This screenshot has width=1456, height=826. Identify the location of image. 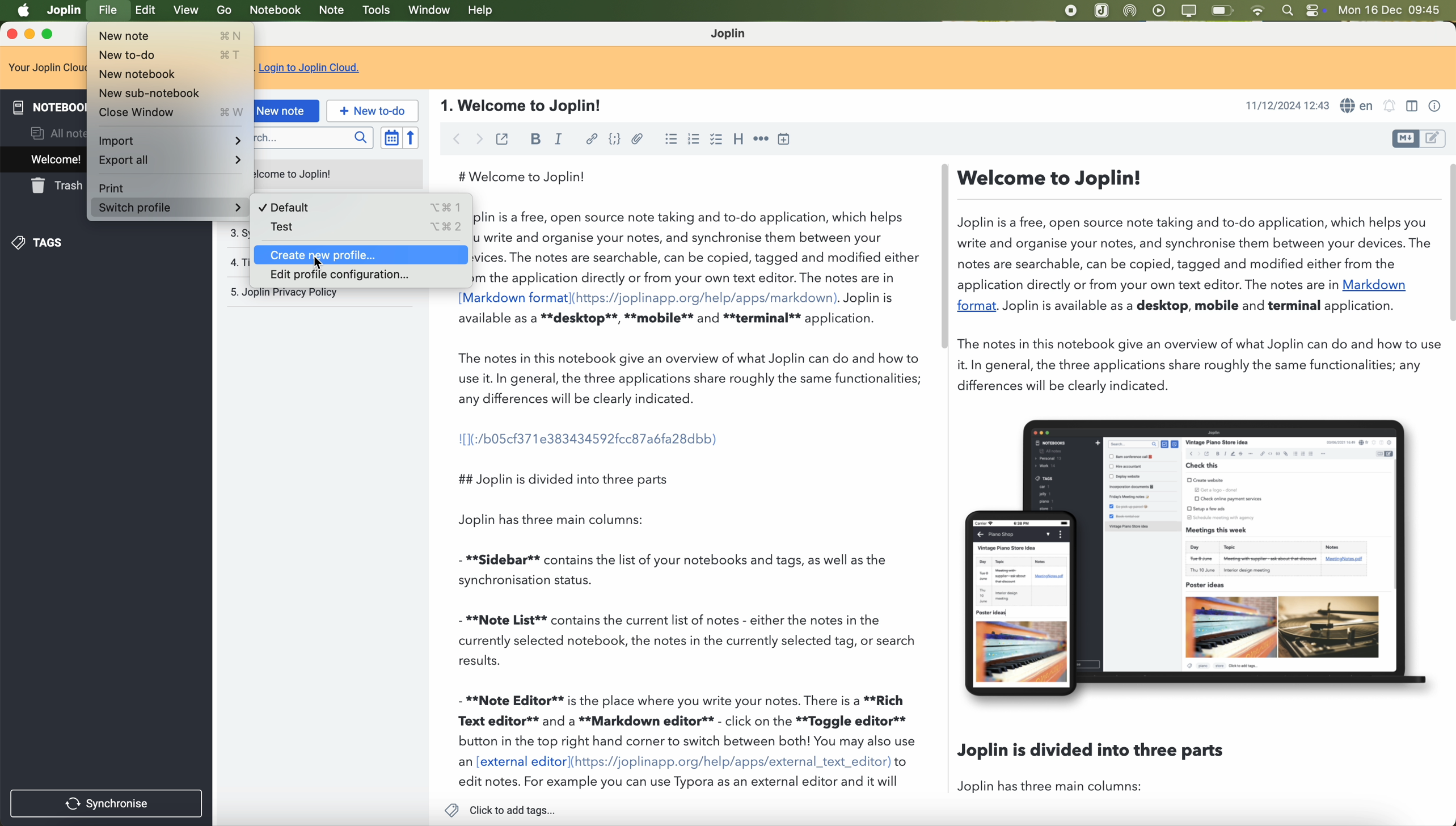
(1194, 559).